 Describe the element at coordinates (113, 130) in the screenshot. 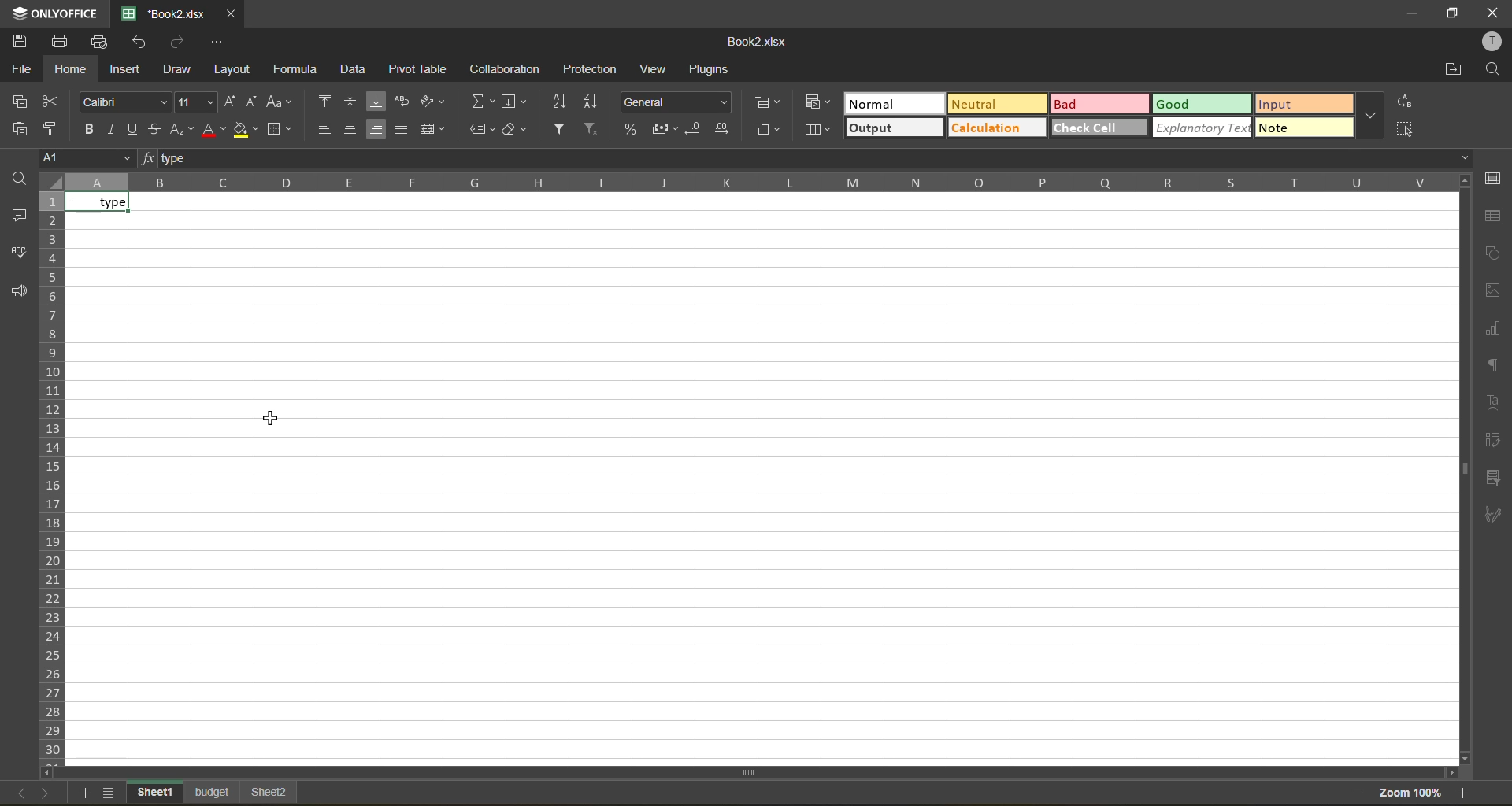

I see `italic` at that location.